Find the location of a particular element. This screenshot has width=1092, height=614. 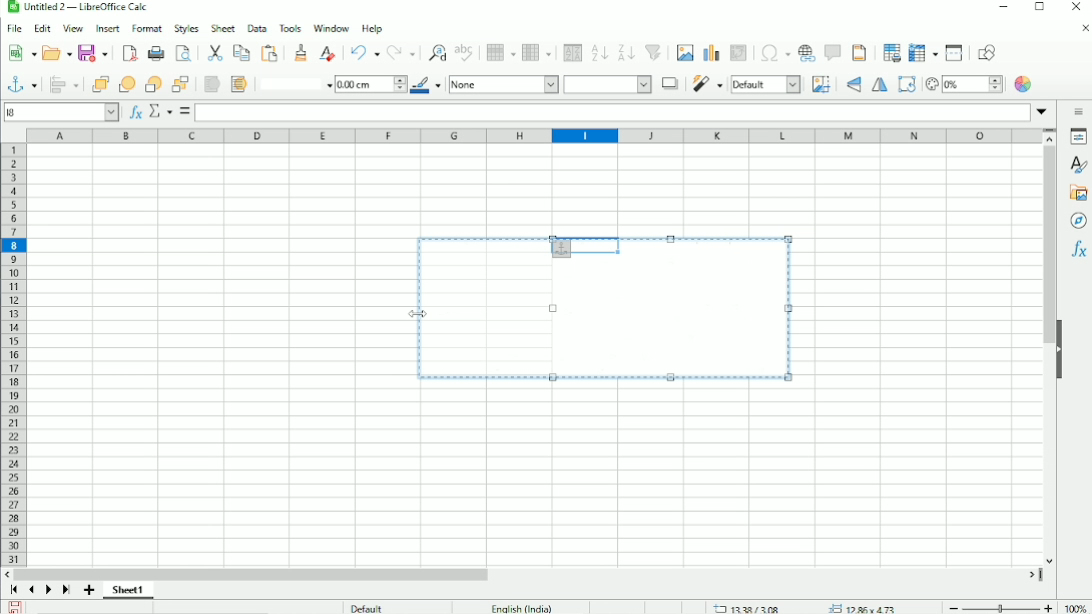

Redo is located at coordinates (402, 53).